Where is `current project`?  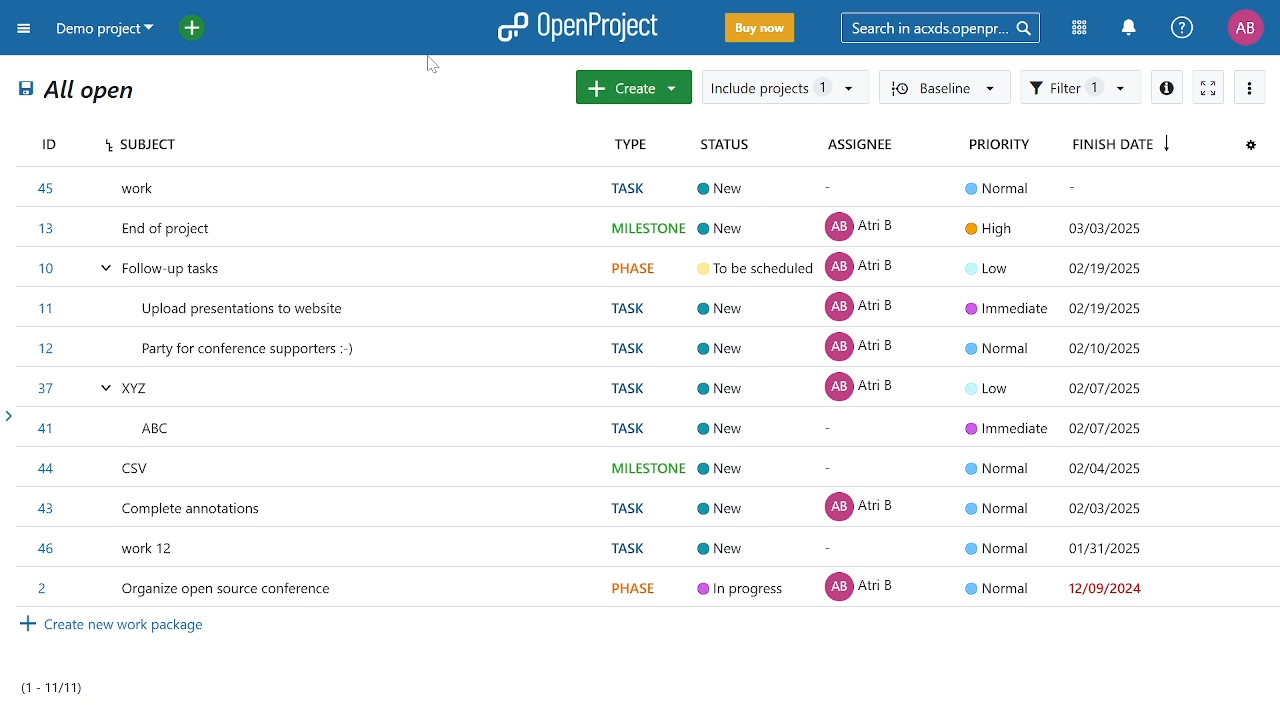
current project is located at coordinates (103, 30).